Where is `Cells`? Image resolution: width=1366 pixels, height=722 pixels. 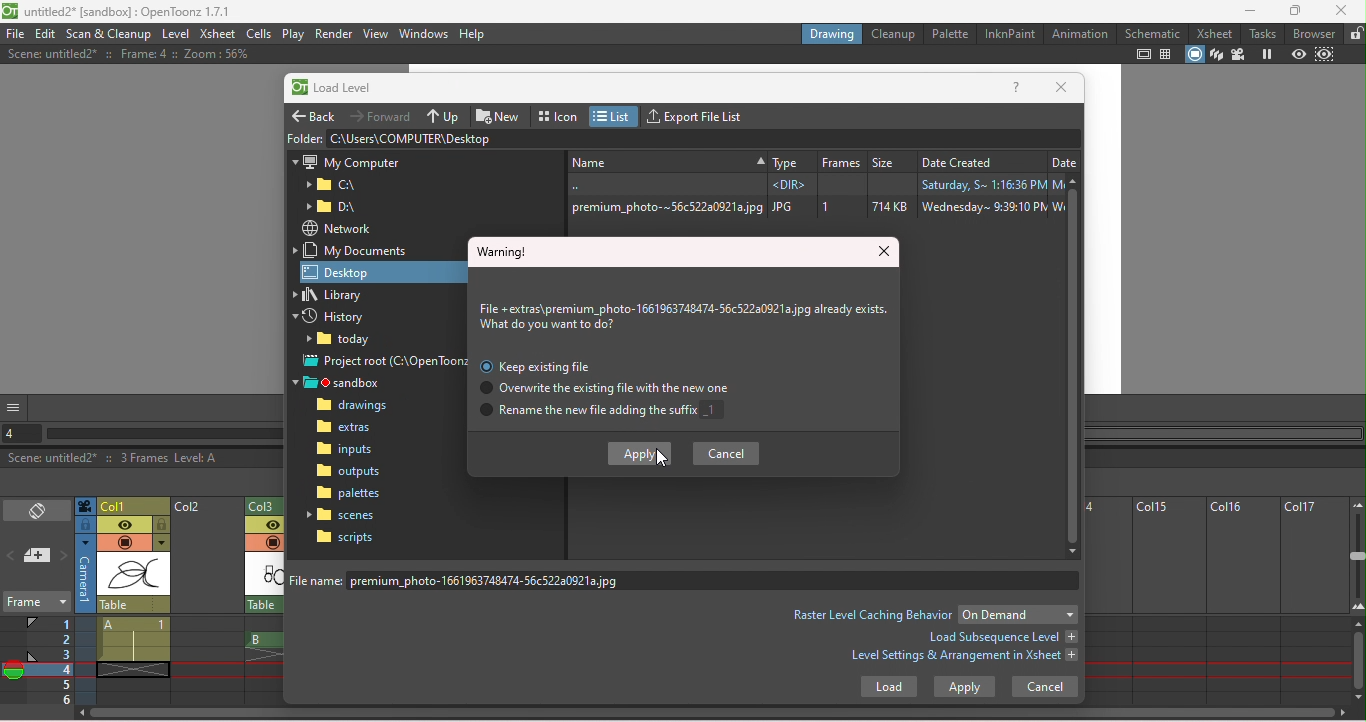 Cells is located at coordinates (258, 33).